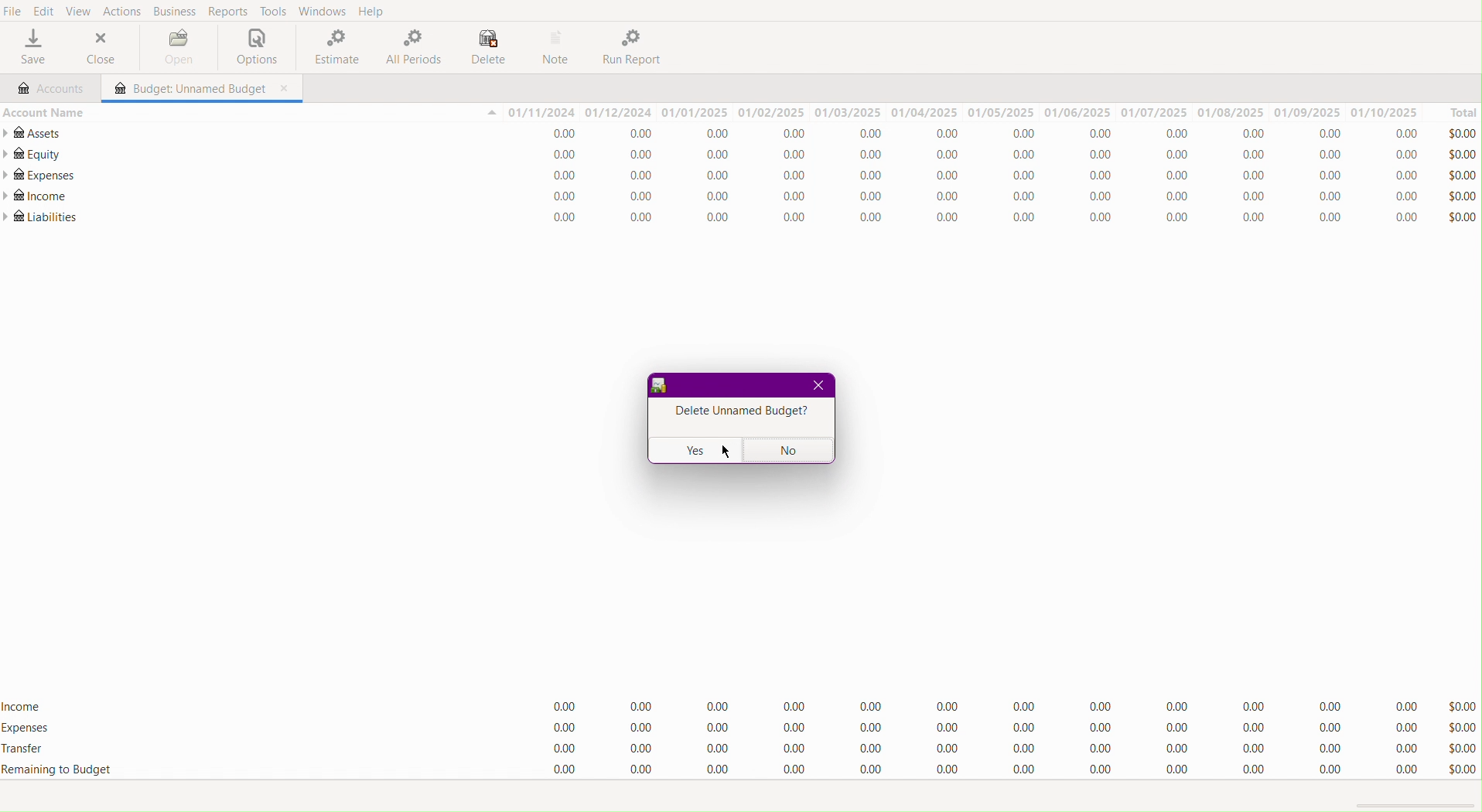 Image resolution: width=1482 pixels, height=812 pixels. What do you see at coordinates (125, 12) in the screenshot?
I see `Actions` at bounding box center [125, 12].